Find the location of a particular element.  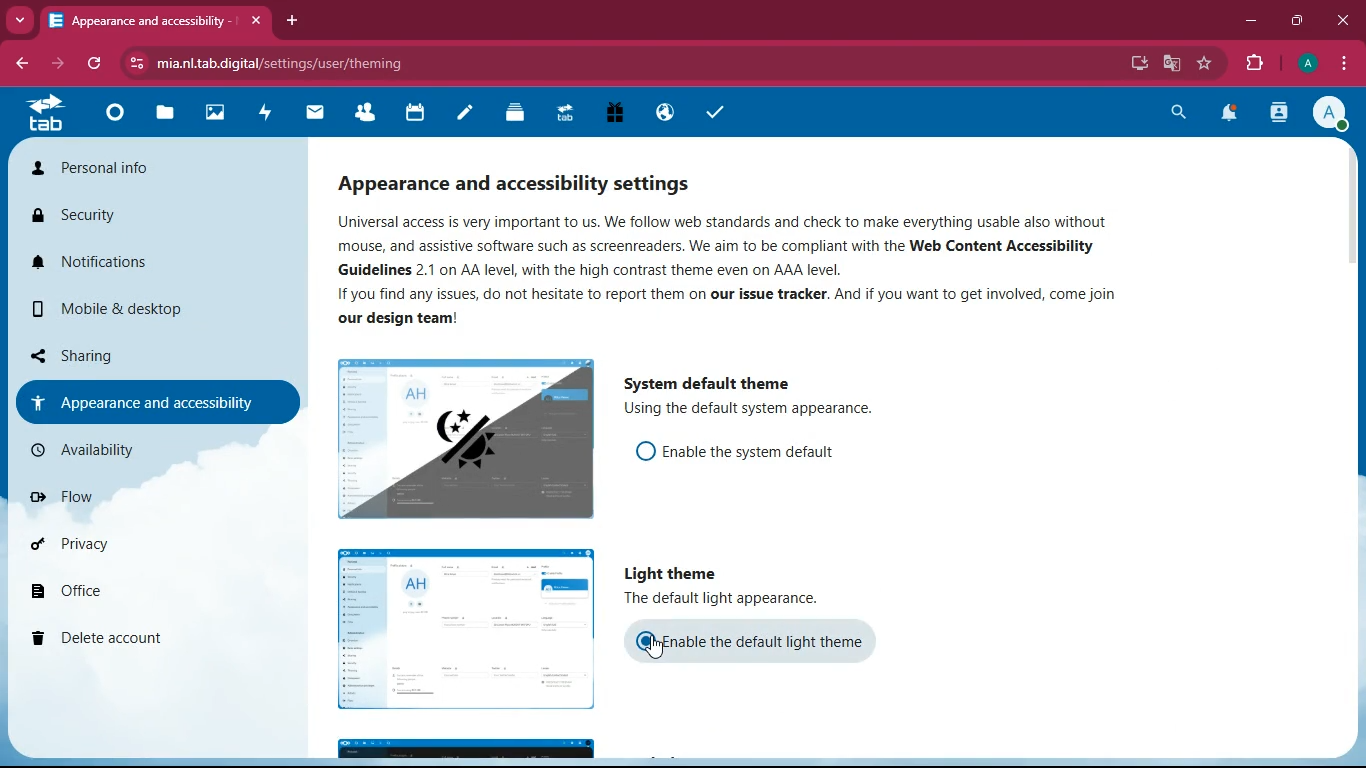

flow is located at coordinates (167, 500).